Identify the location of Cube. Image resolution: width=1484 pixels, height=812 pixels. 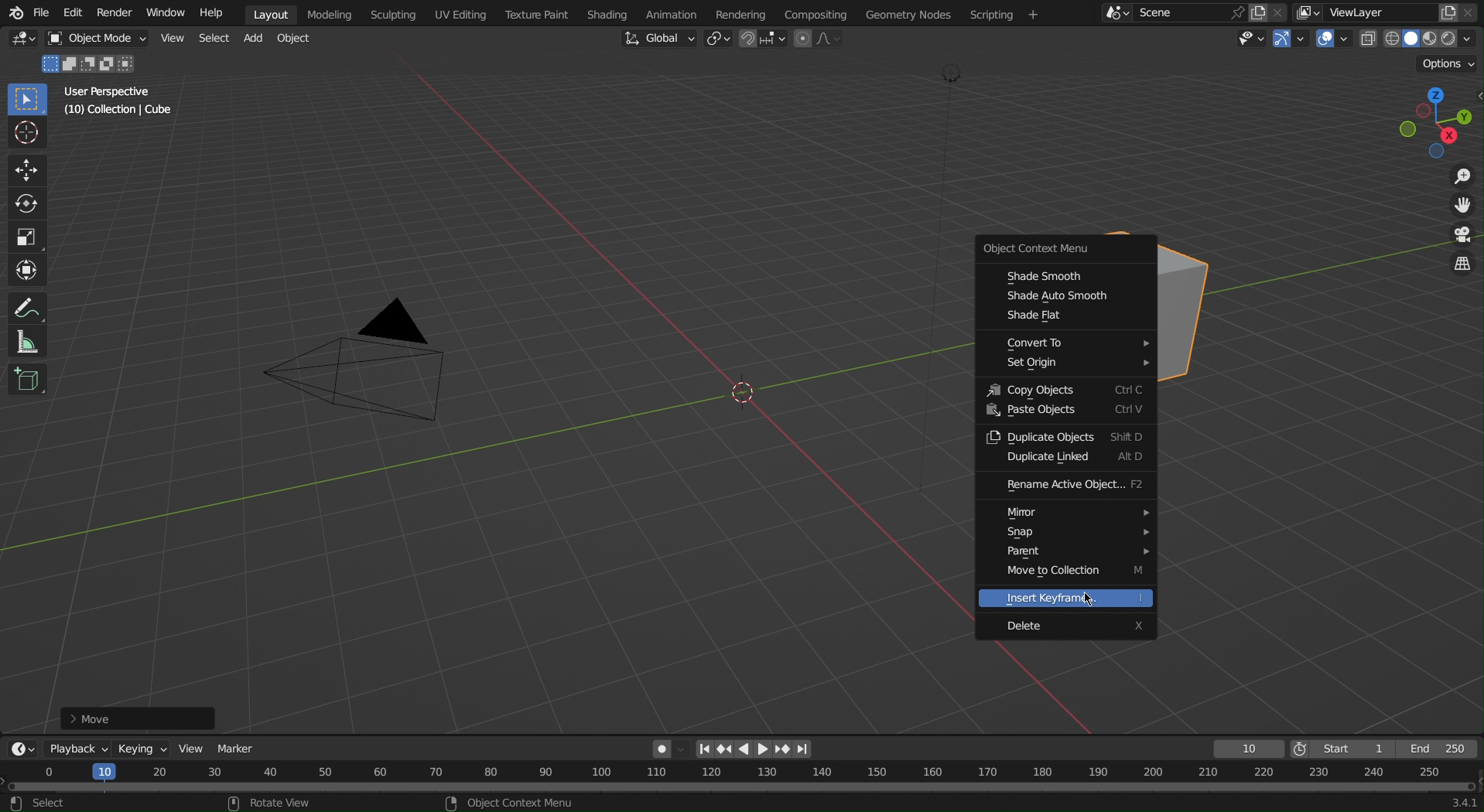
(1195, 301).